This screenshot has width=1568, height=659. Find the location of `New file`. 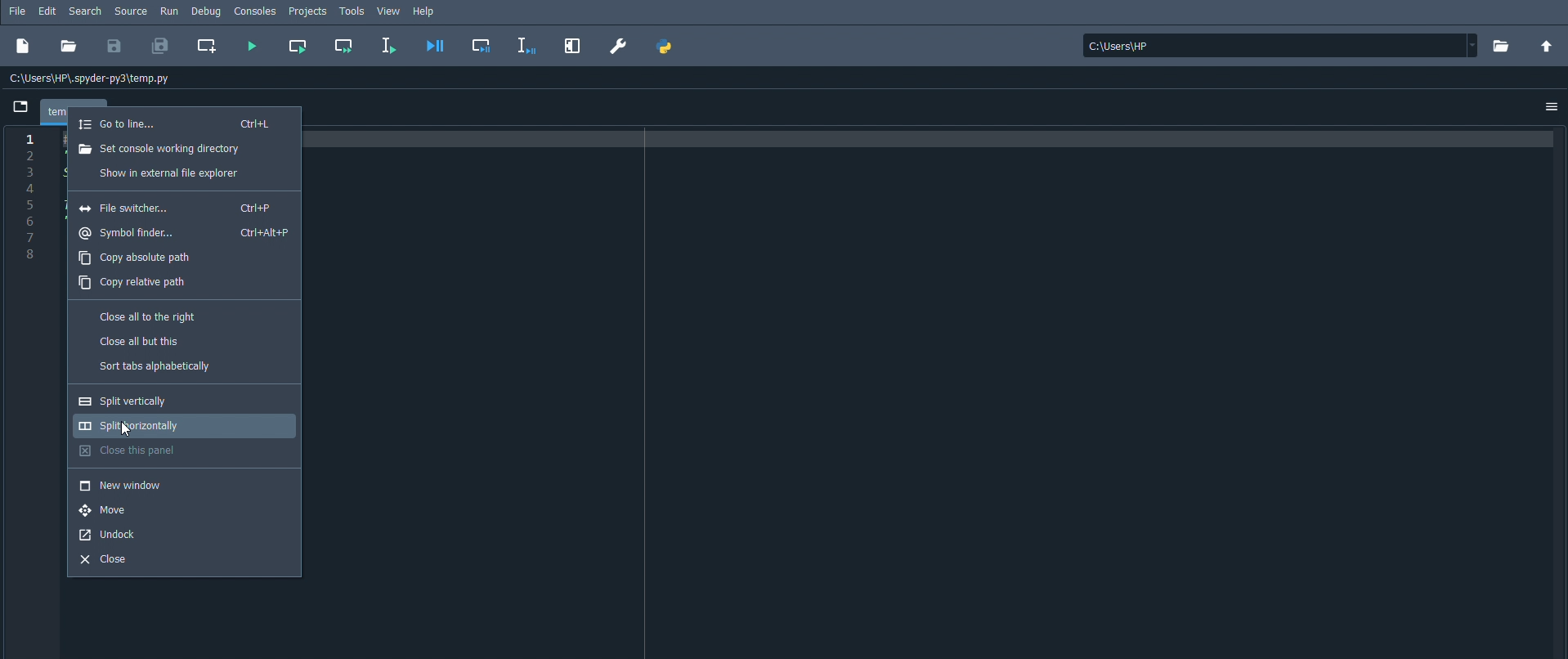

New file is located at coordinates (25, 46).